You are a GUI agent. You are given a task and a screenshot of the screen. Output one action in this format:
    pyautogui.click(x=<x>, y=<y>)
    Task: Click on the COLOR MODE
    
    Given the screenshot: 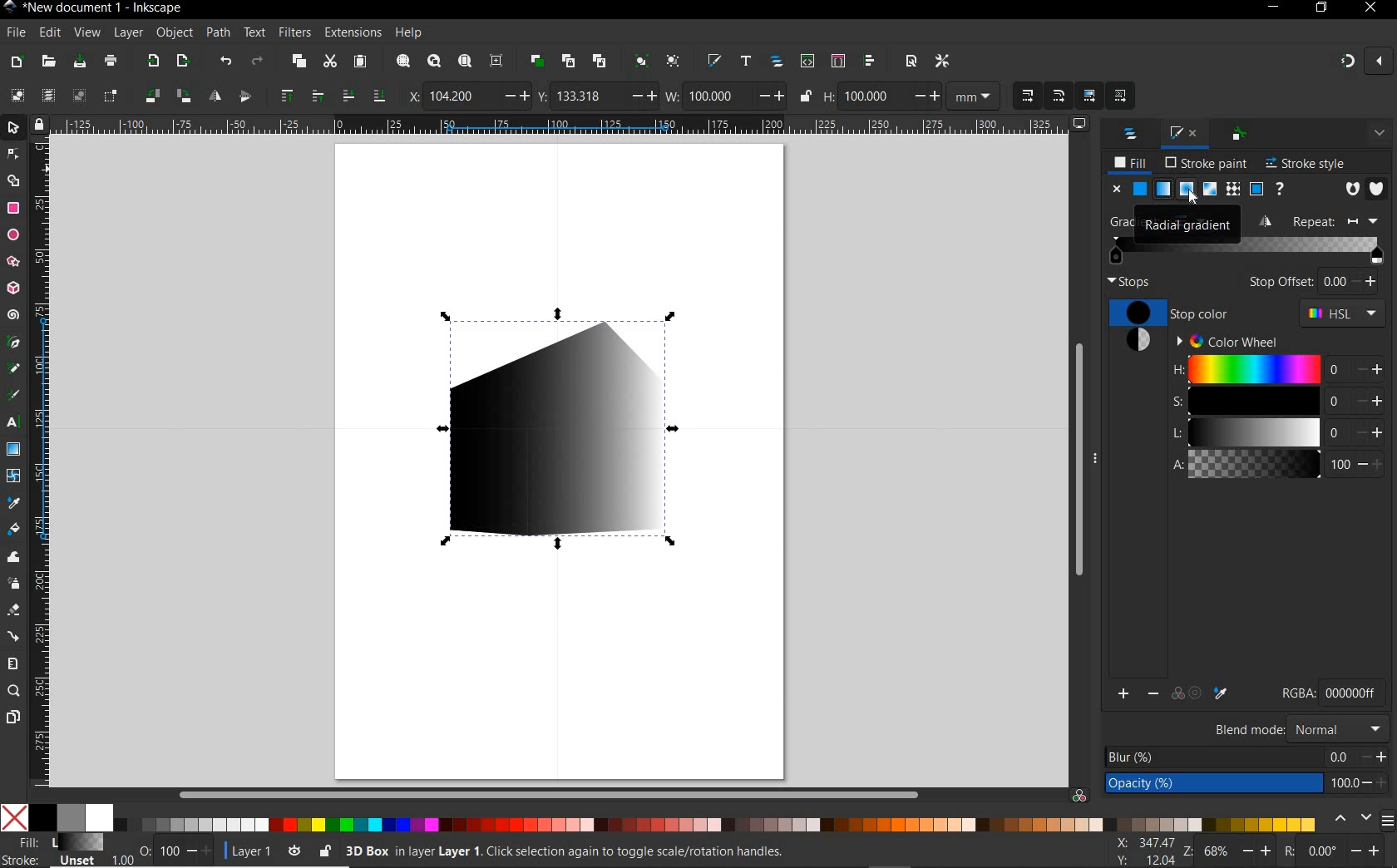 What is the action you would take?
    pyautogui.click(x=659, y=817)
    